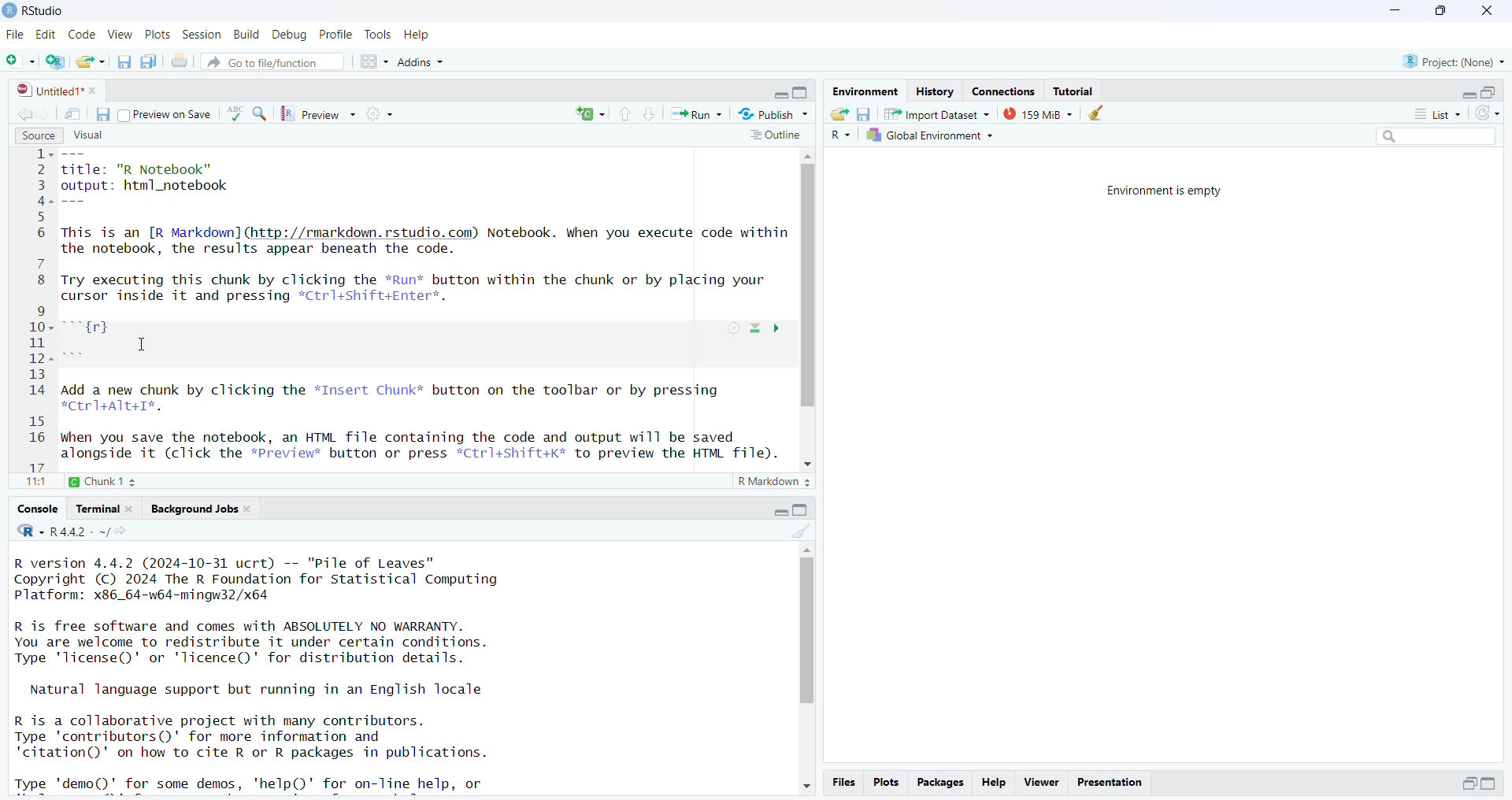 The height and width of the screenshot is (800, 1512). Describe the element at coordinates (17, 35) in the screenshot. I see `file` at that location.